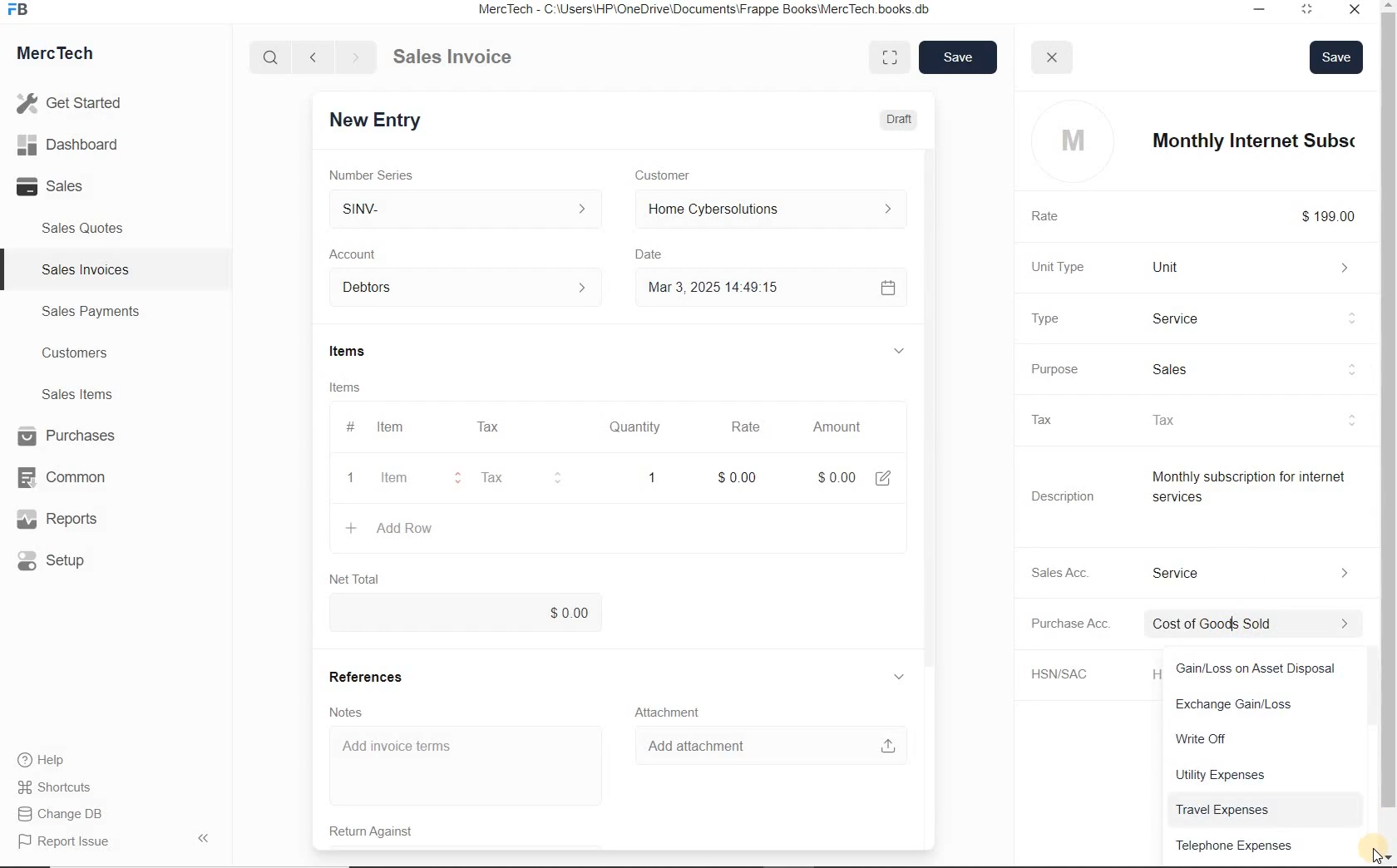  I want to click on Tax, so click(496, 427).